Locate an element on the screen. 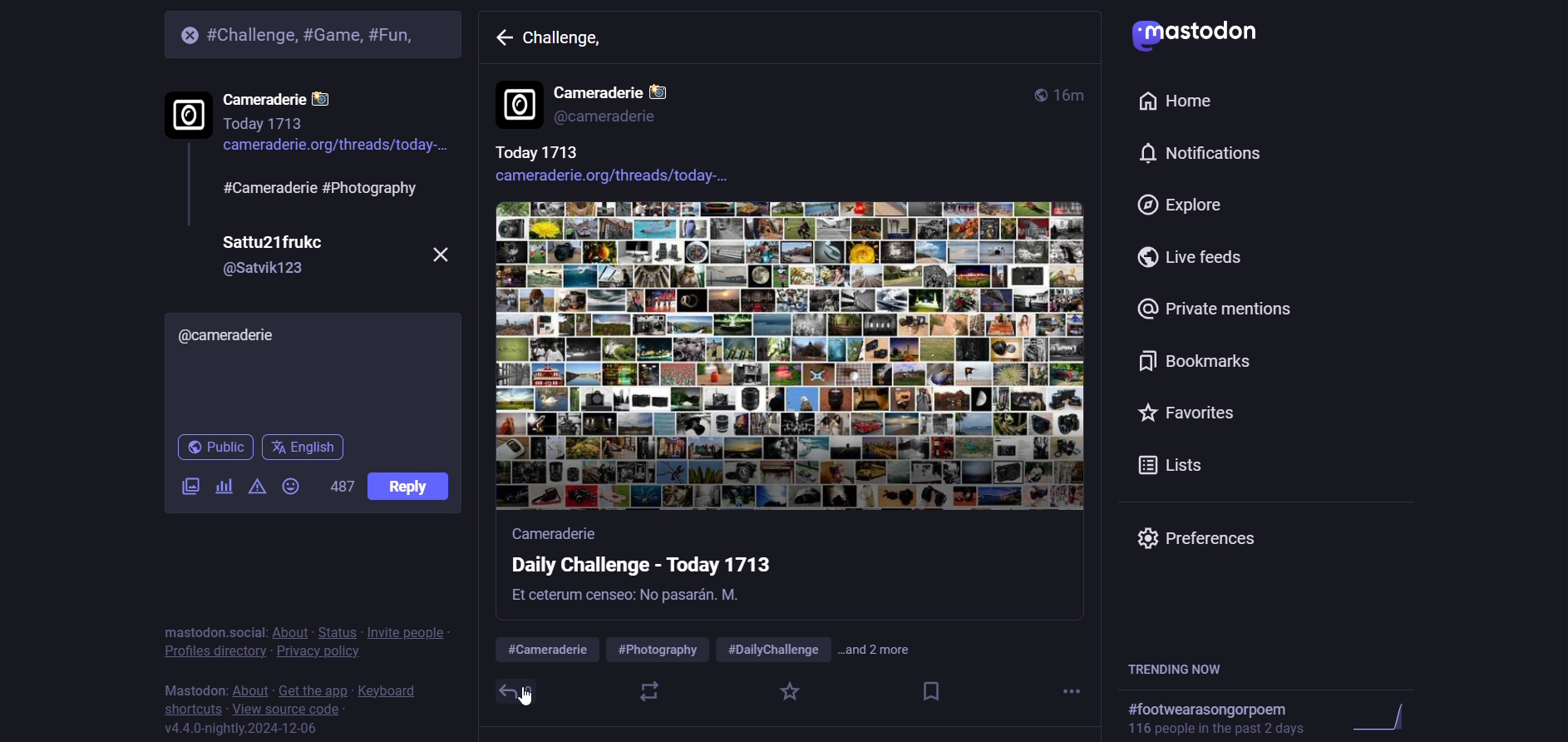 The width and height of the screenshot is (1568, 742). write here is located at coordinates (318, 392).